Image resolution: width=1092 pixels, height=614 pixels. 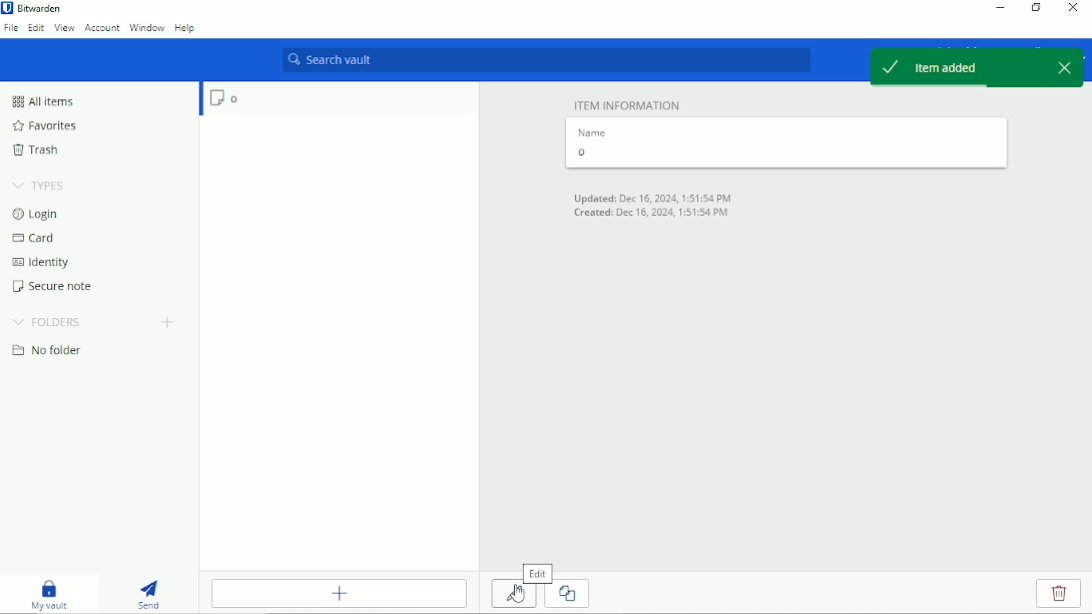 What do you see at coordinates (150, 593) in the screenshot?
I see `Send` at bounding box center [150, 593].